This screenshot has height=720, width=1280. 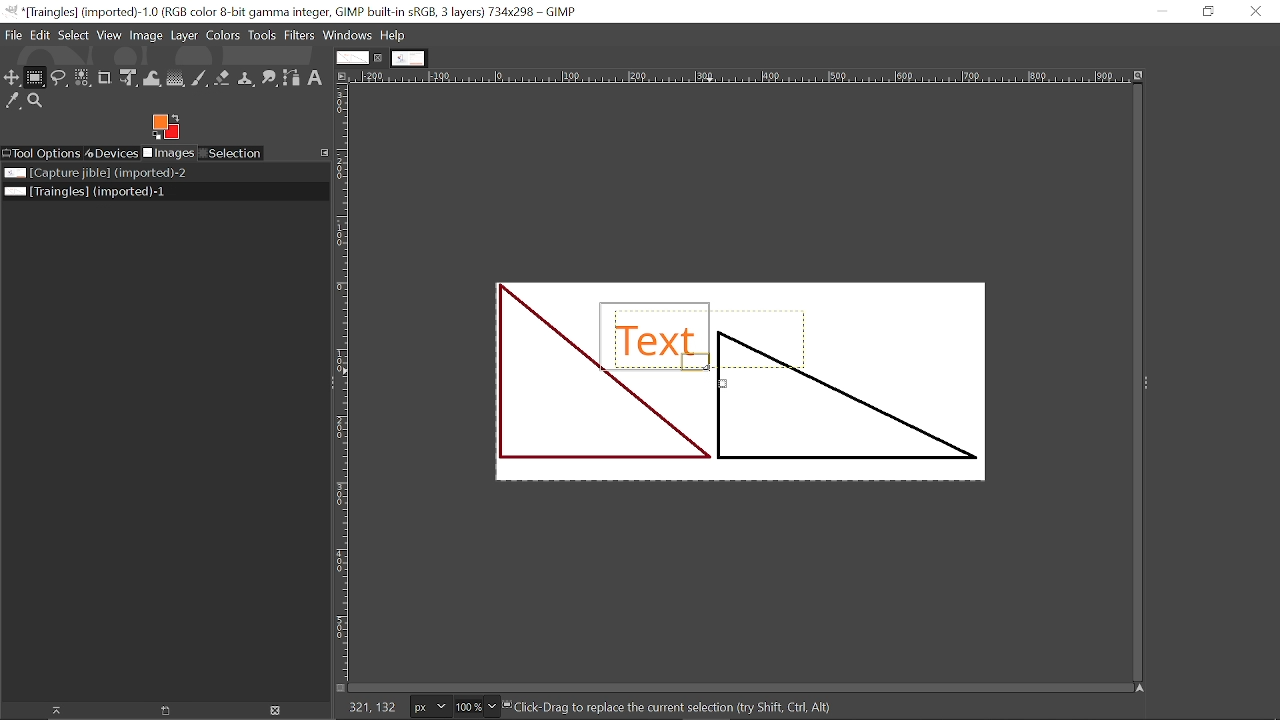 What do you see at coordinates (36, 77) in the screenshot?
I see `Rectangular select` at bounding box center [36, 77].